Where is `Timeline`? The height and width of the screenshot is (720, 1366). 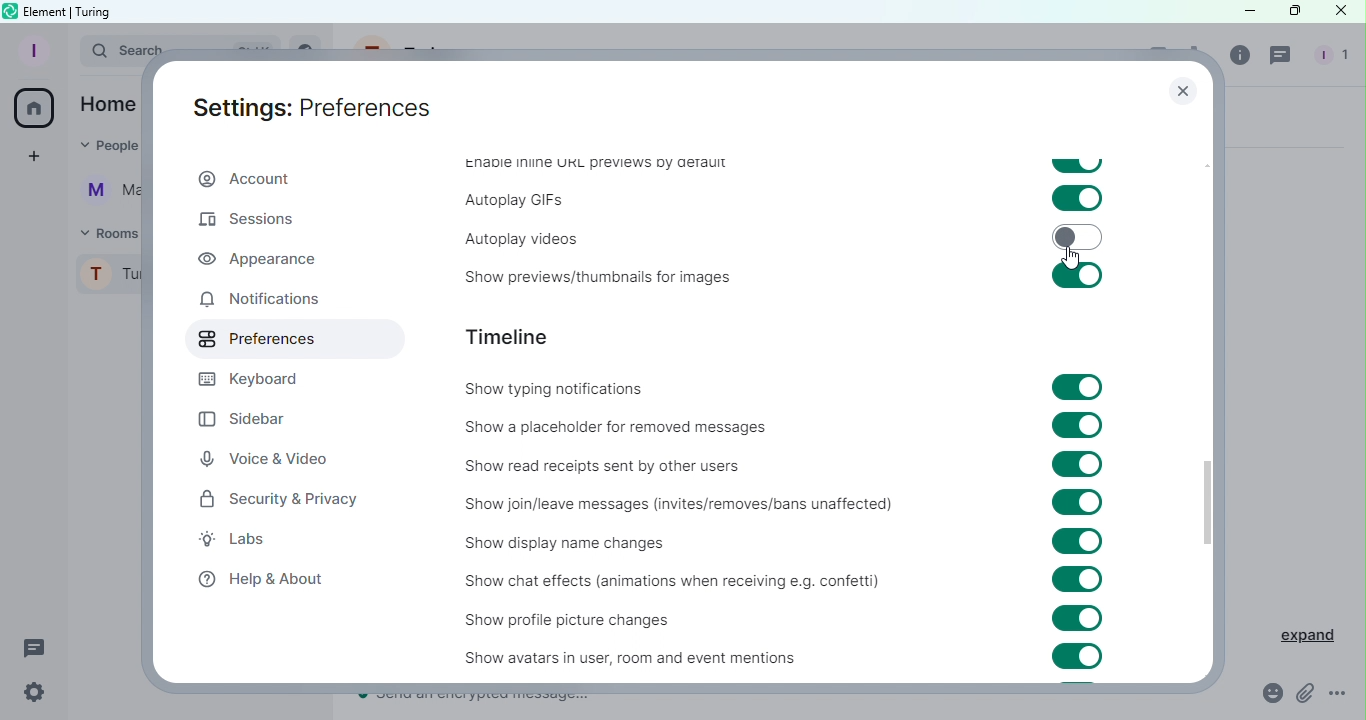 Timeline is located at coordinates (514, 336).